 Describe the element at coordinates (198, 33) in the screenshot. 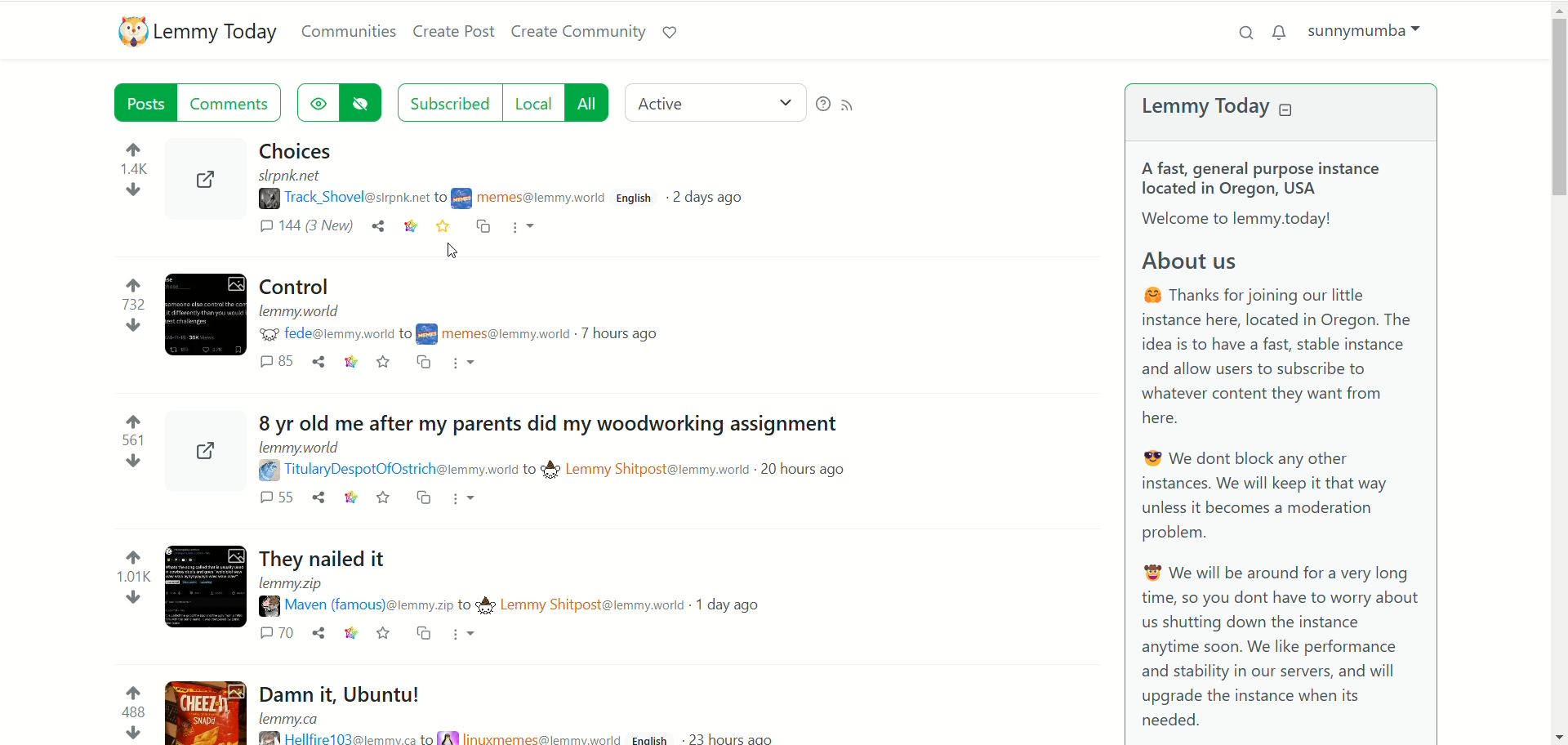

I see `lemmy today logo ad name` at that location.